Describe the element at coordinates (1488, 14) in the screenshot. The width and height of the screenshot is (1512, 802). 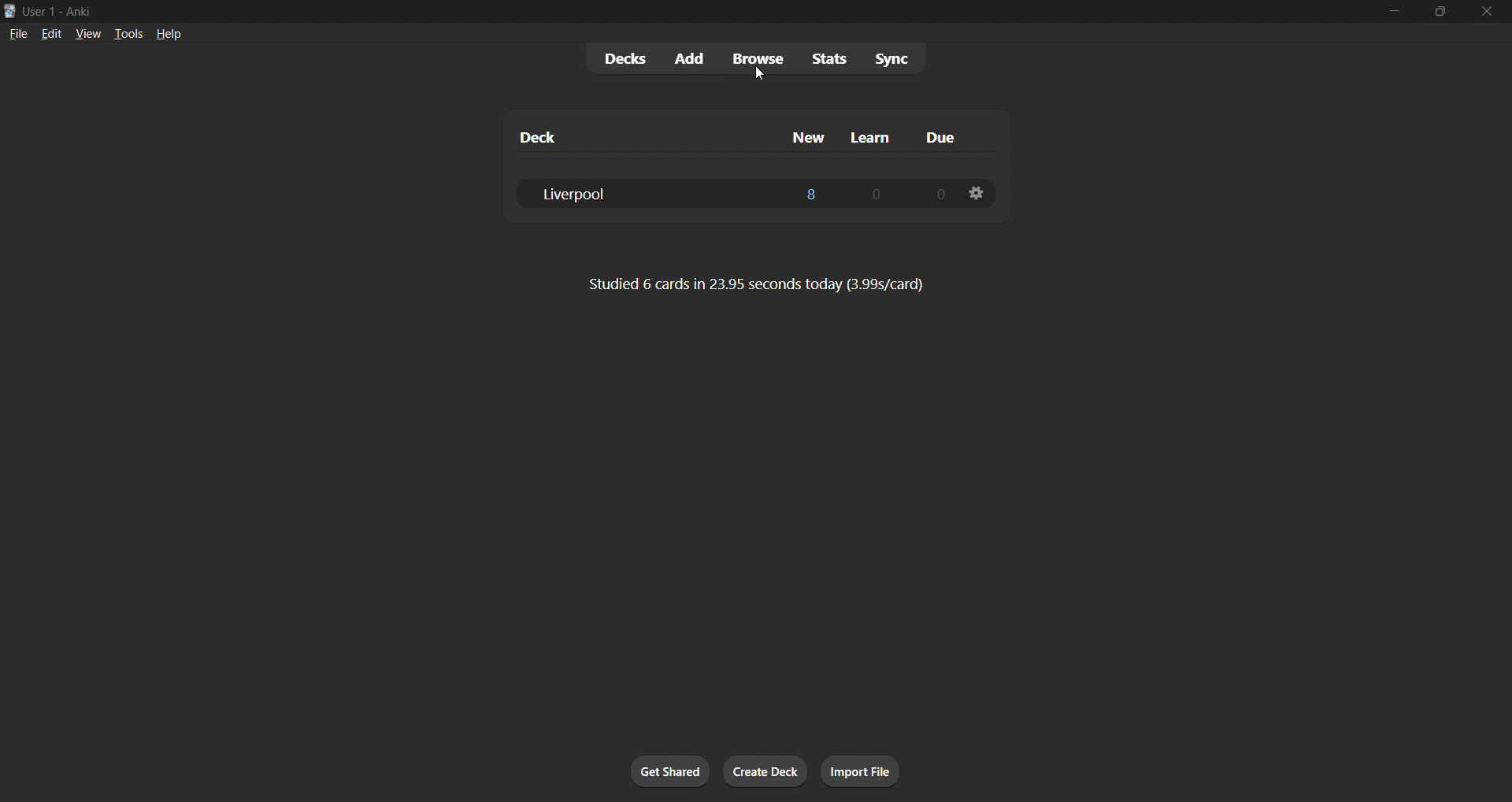
I see `close` at that location.